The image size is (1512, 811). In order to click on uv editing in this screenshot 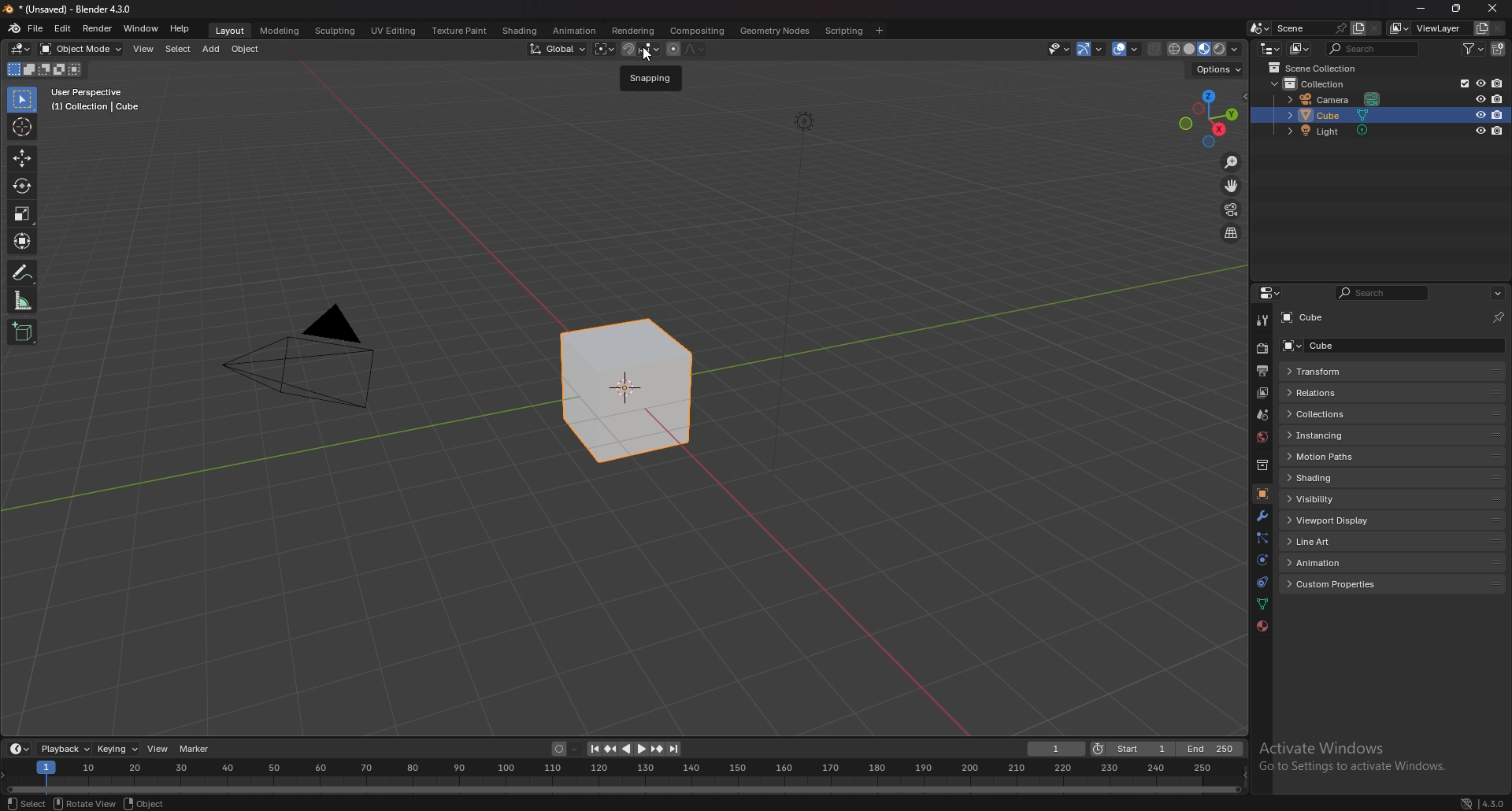, I will do `click(392, 30)`.